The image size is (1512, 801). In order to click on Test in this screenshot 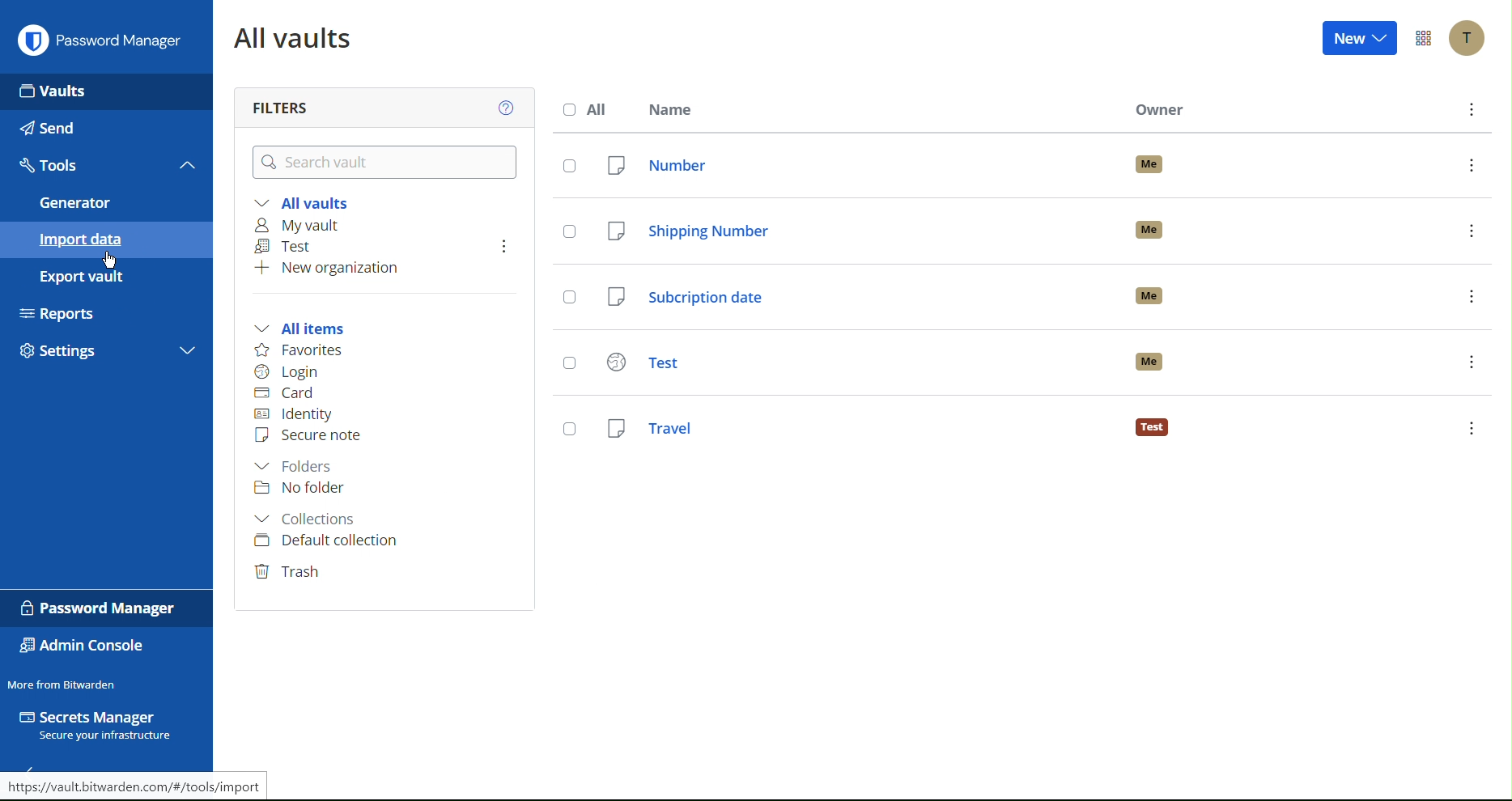, I will do `click(289, 247)`.